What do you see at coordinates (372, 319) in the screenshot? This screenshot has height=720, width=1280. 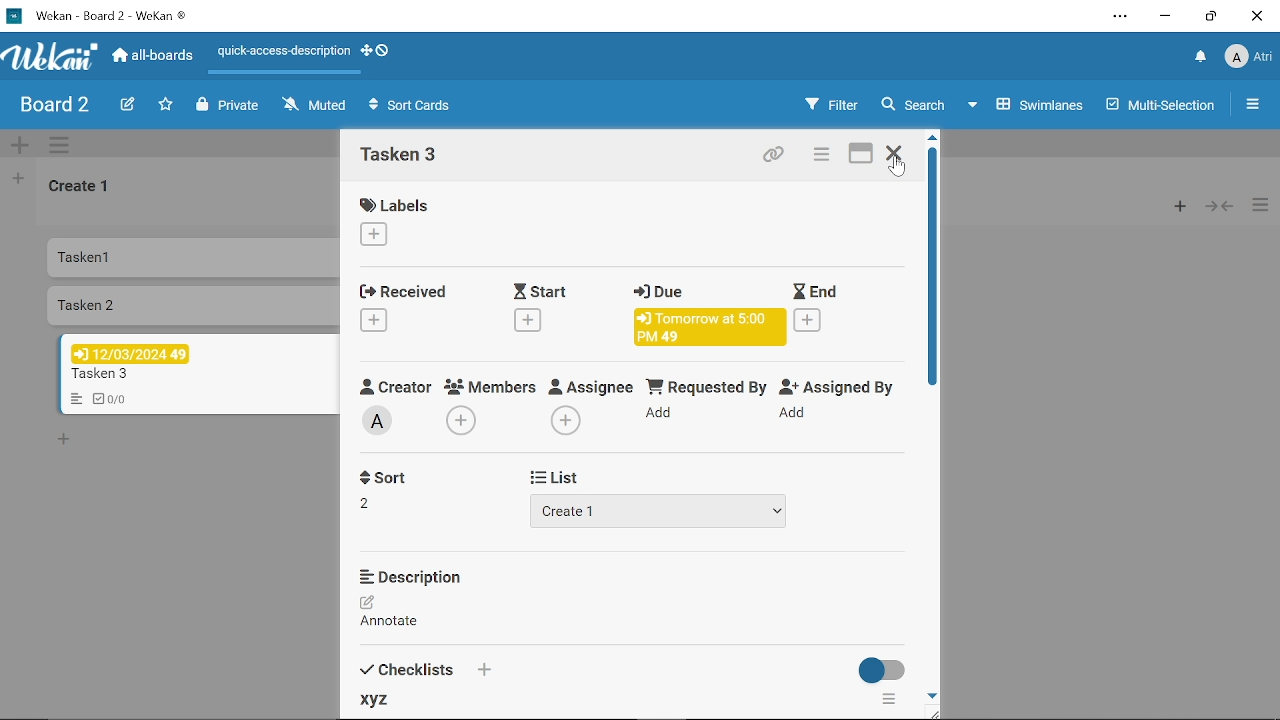 I see `Add received date` at bounding box center [372, 319].